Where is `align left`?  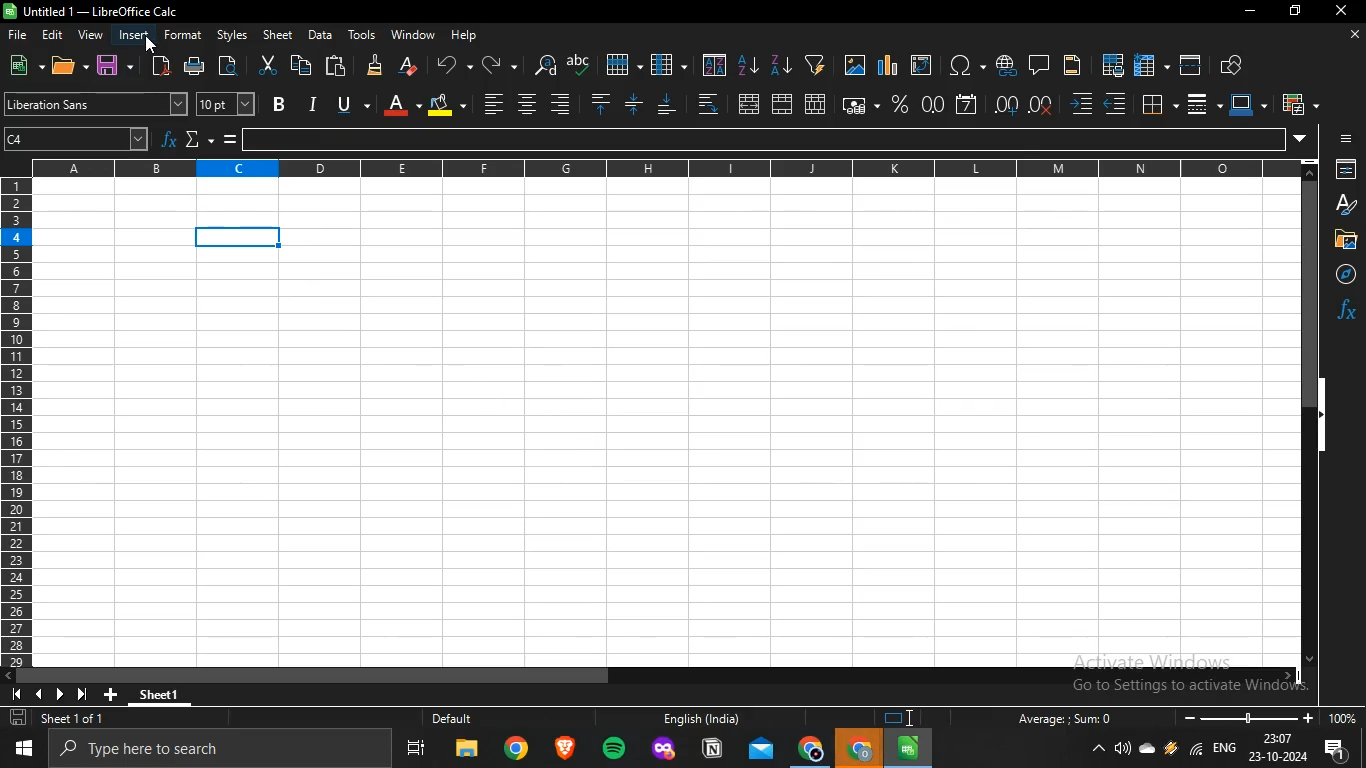 align left is located at coordinates (560, 102).